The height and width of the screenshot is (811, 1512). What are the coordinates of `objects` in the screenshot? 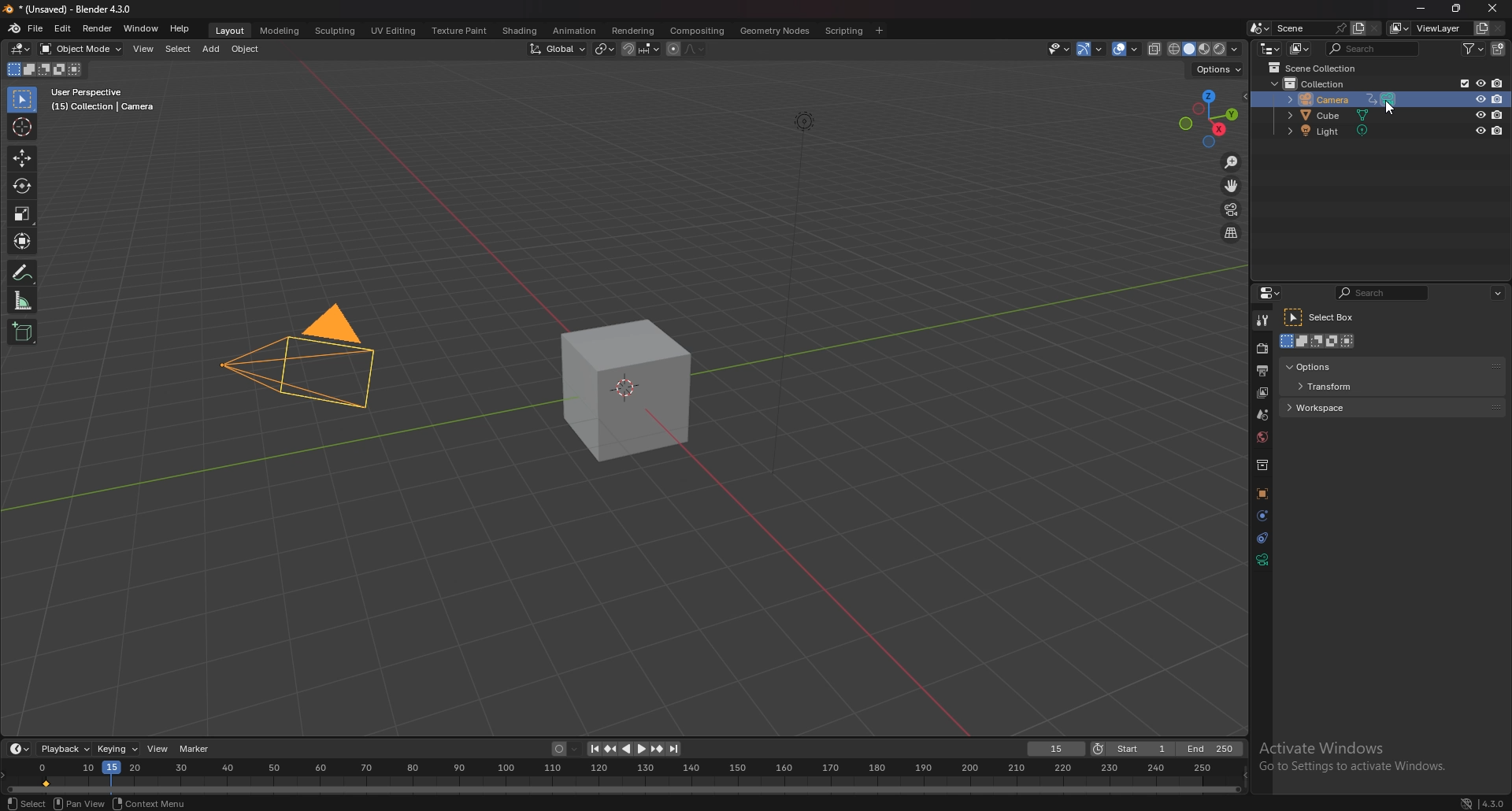 It's located at (1262, 494).